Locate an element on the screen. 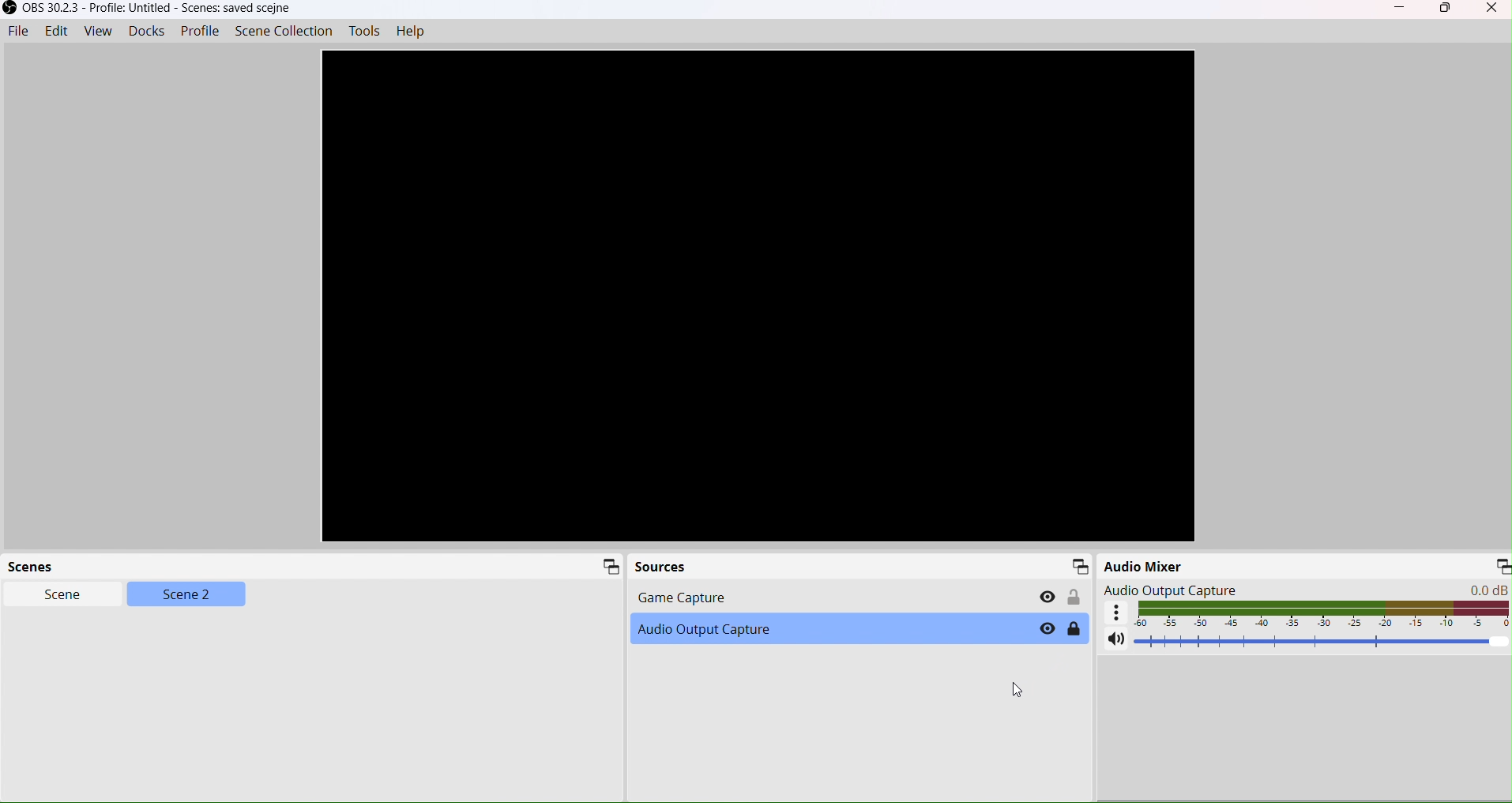  Scene Collection is located at coordinates (284, 31).